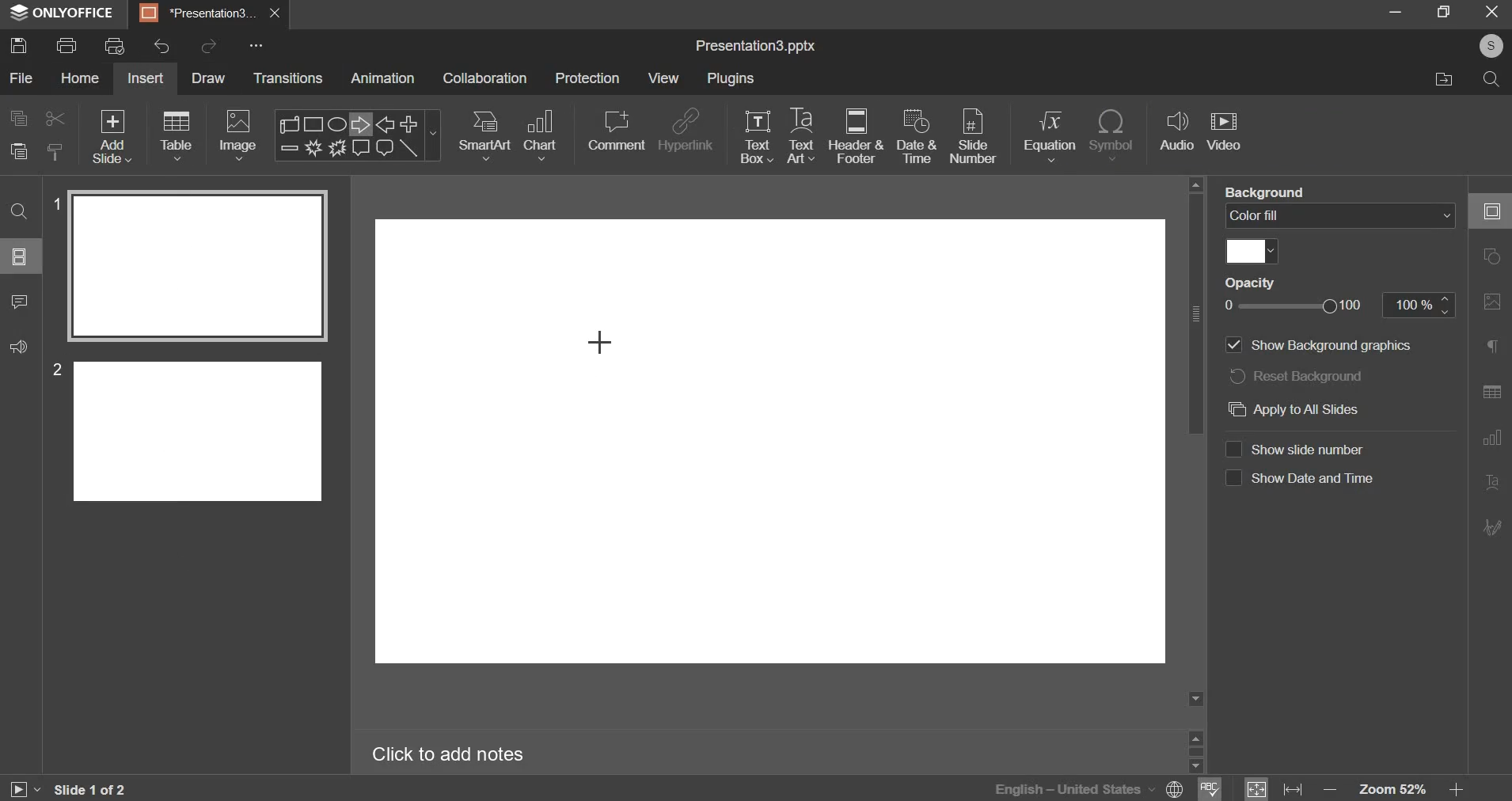 The image size is (1512, 801). What do you see at coordinates (53, 369) in the screenshot?
I see `slide number` at bounding box center [53, 369].